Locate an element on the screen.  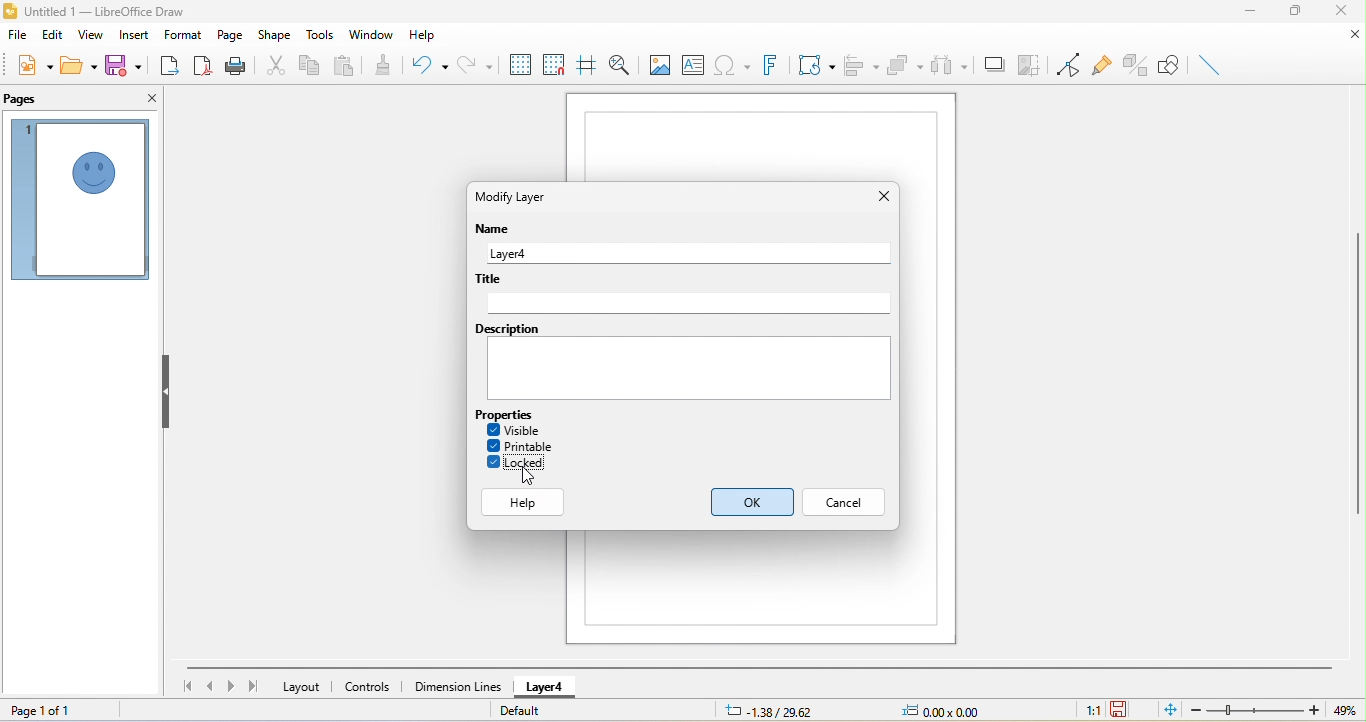
select locked is located at coordinates (519, 464).